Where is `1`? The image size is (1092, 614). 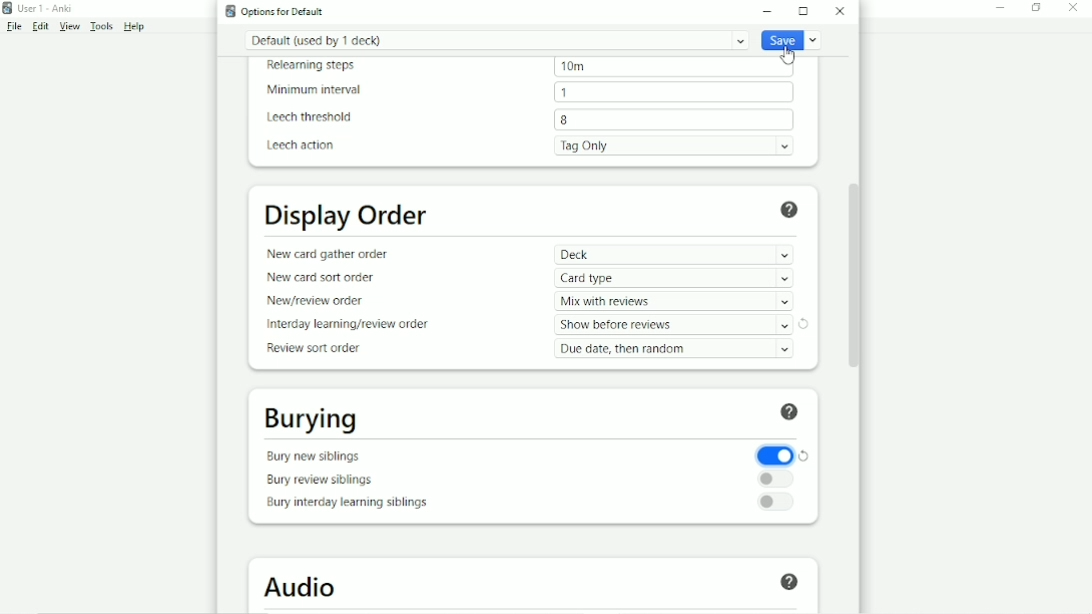
1 is located at coordinates (565, 91).